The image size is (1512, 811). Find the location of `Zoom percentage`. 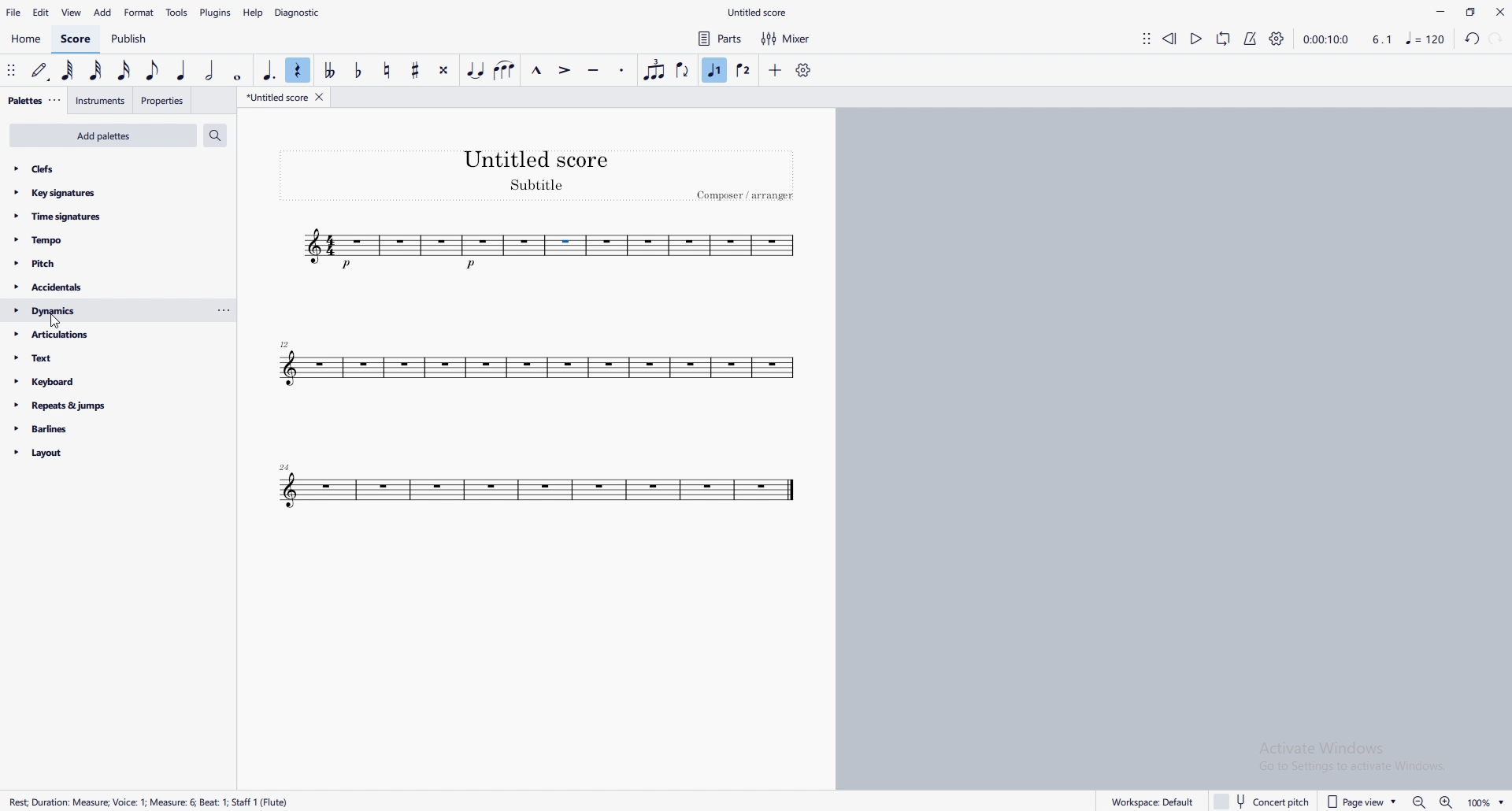

Zoom percentage is located at coordinates (1482, 801).